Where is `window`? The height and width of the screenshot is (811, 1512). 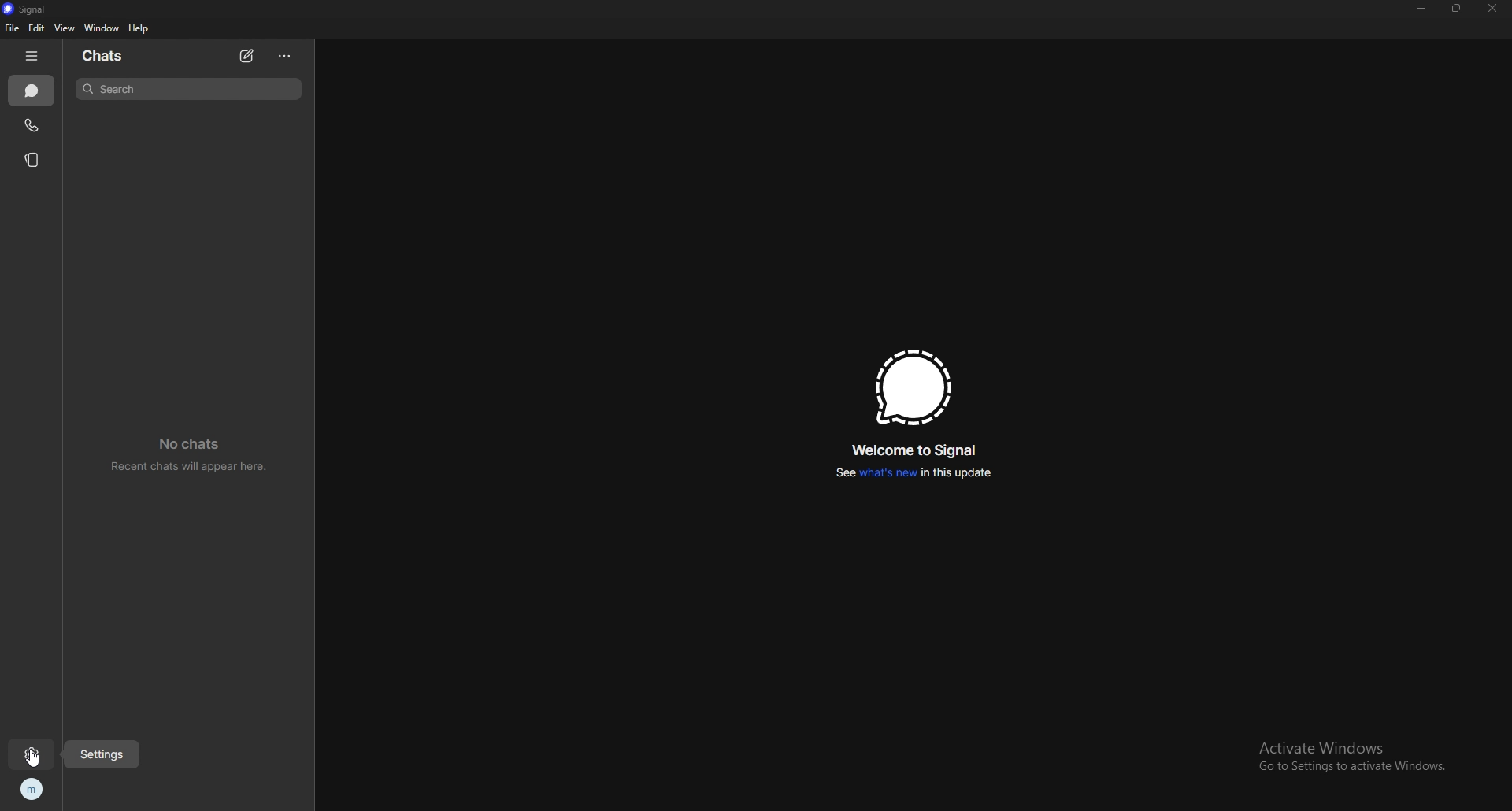 window is located at coordinates (104, 28).